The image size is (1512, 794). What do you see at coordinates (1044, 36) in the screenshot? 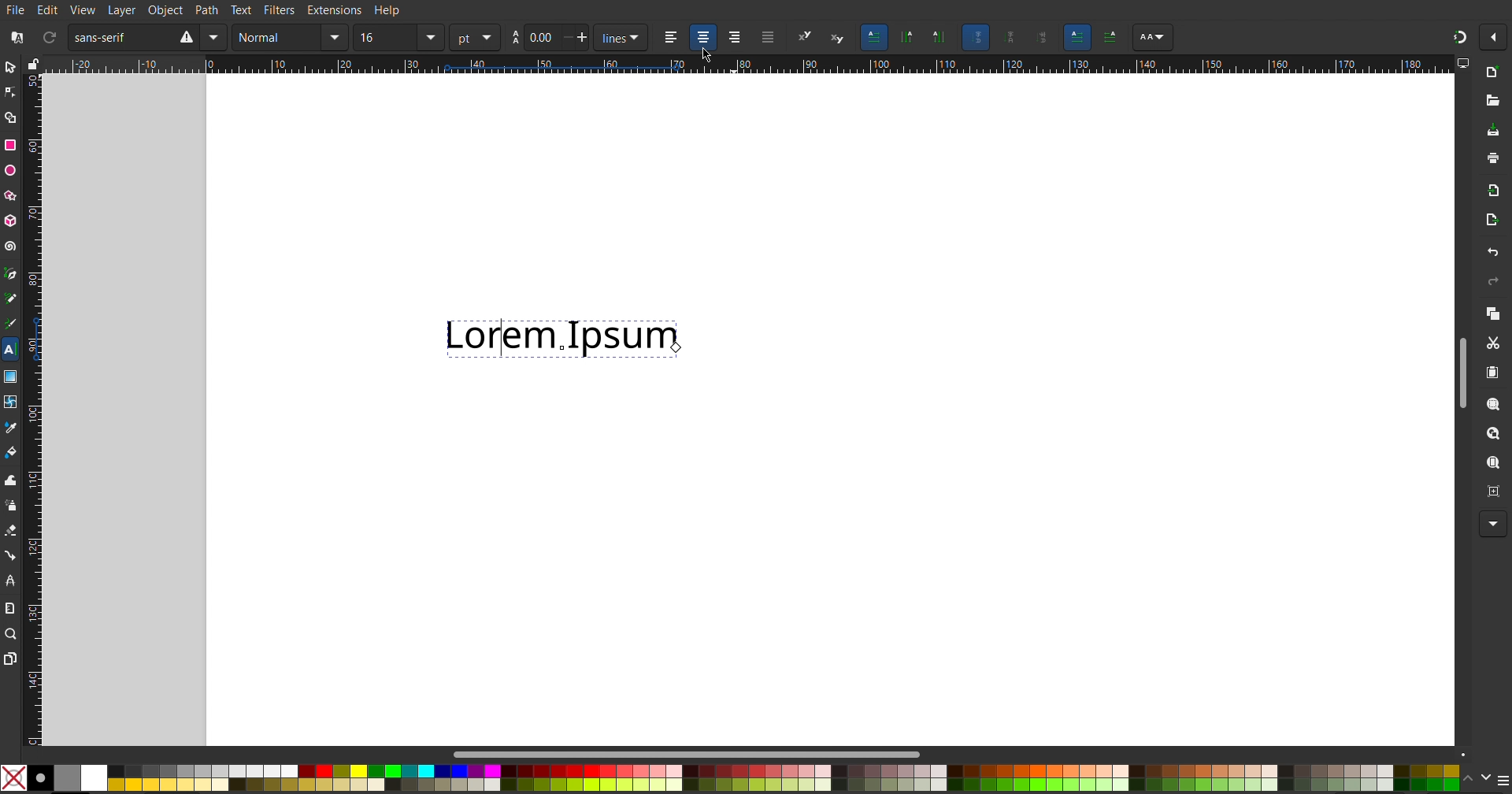
I see `Sideways glyph orientation` at bounding box center [1044, 36].